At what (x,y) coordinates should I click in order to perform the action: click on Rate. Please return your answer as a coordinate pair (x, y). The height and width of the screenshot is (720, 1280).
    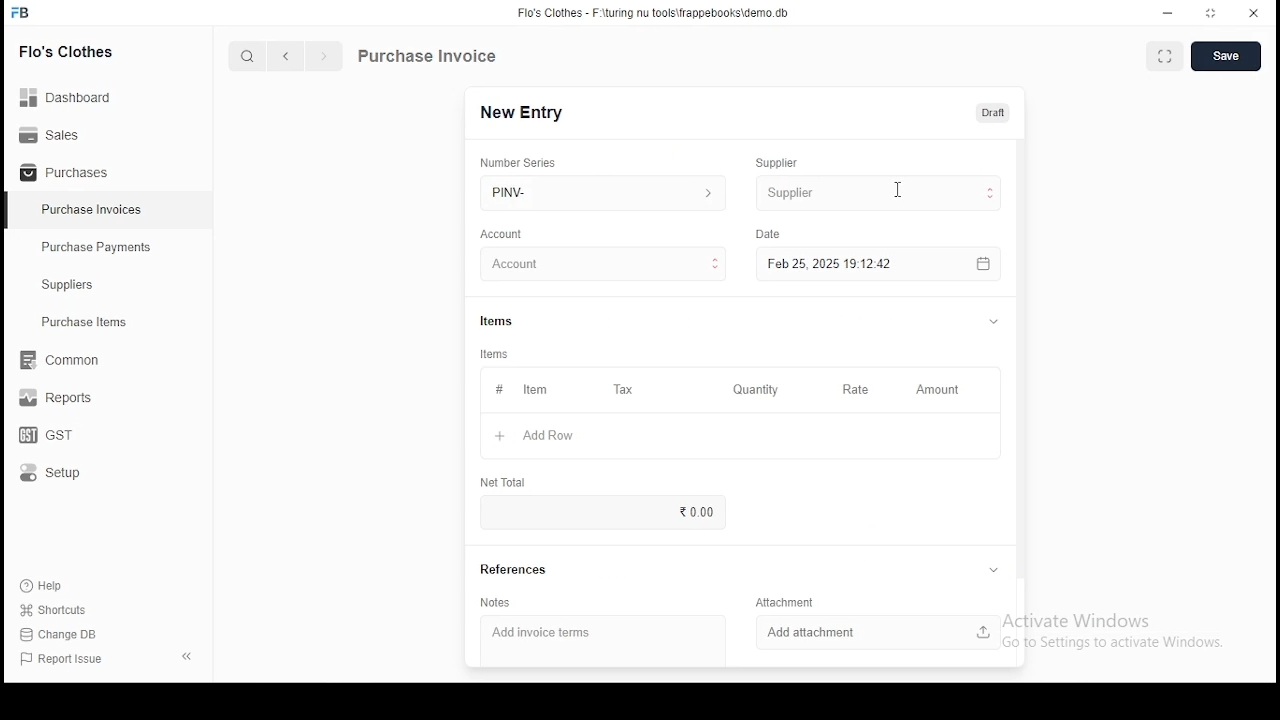
    Looking at the image, I should click on (857, 389).